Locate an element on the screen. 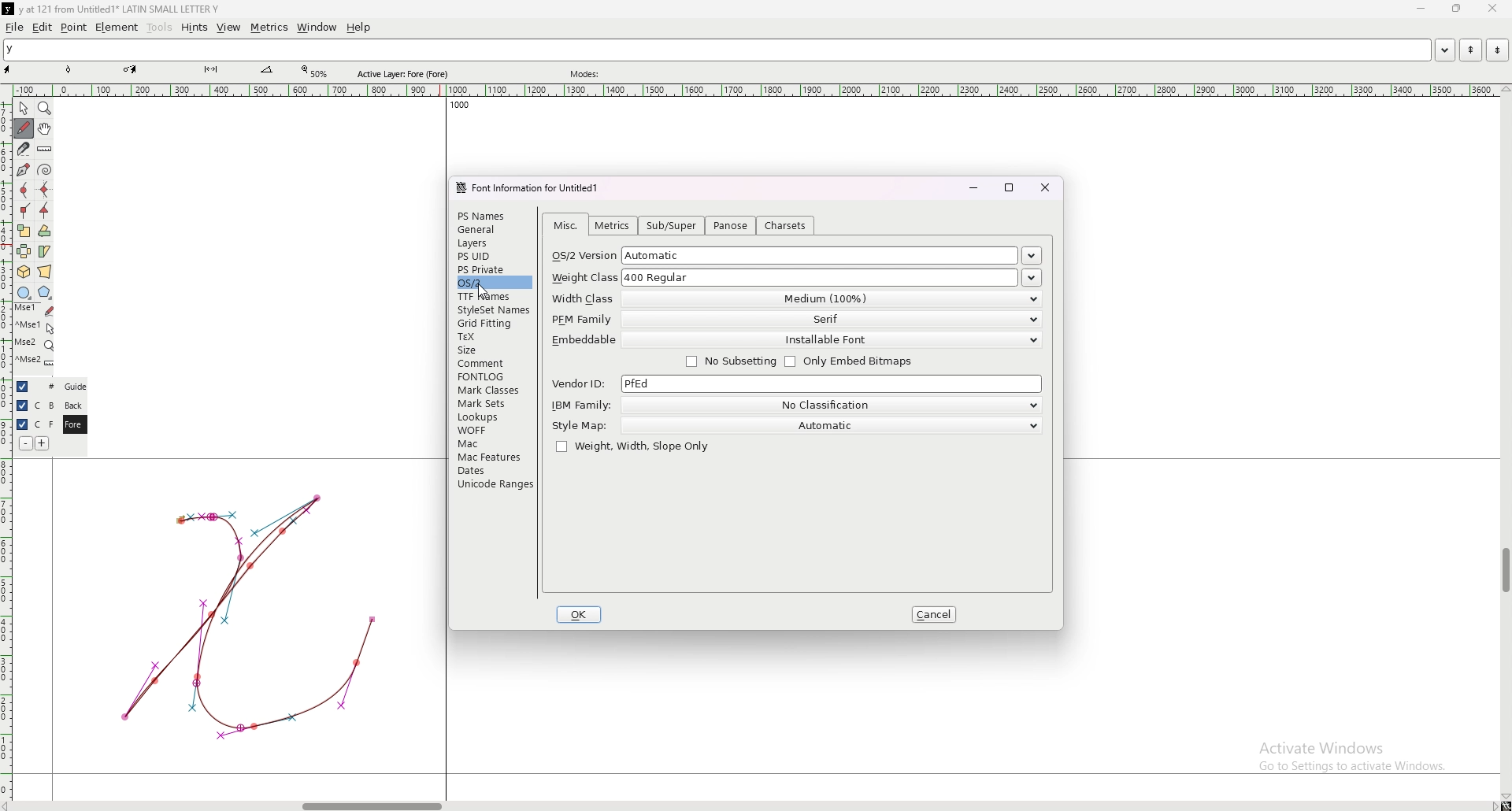 The image size is (1512, 811). add a corner point is located at coordinates (24, 210).